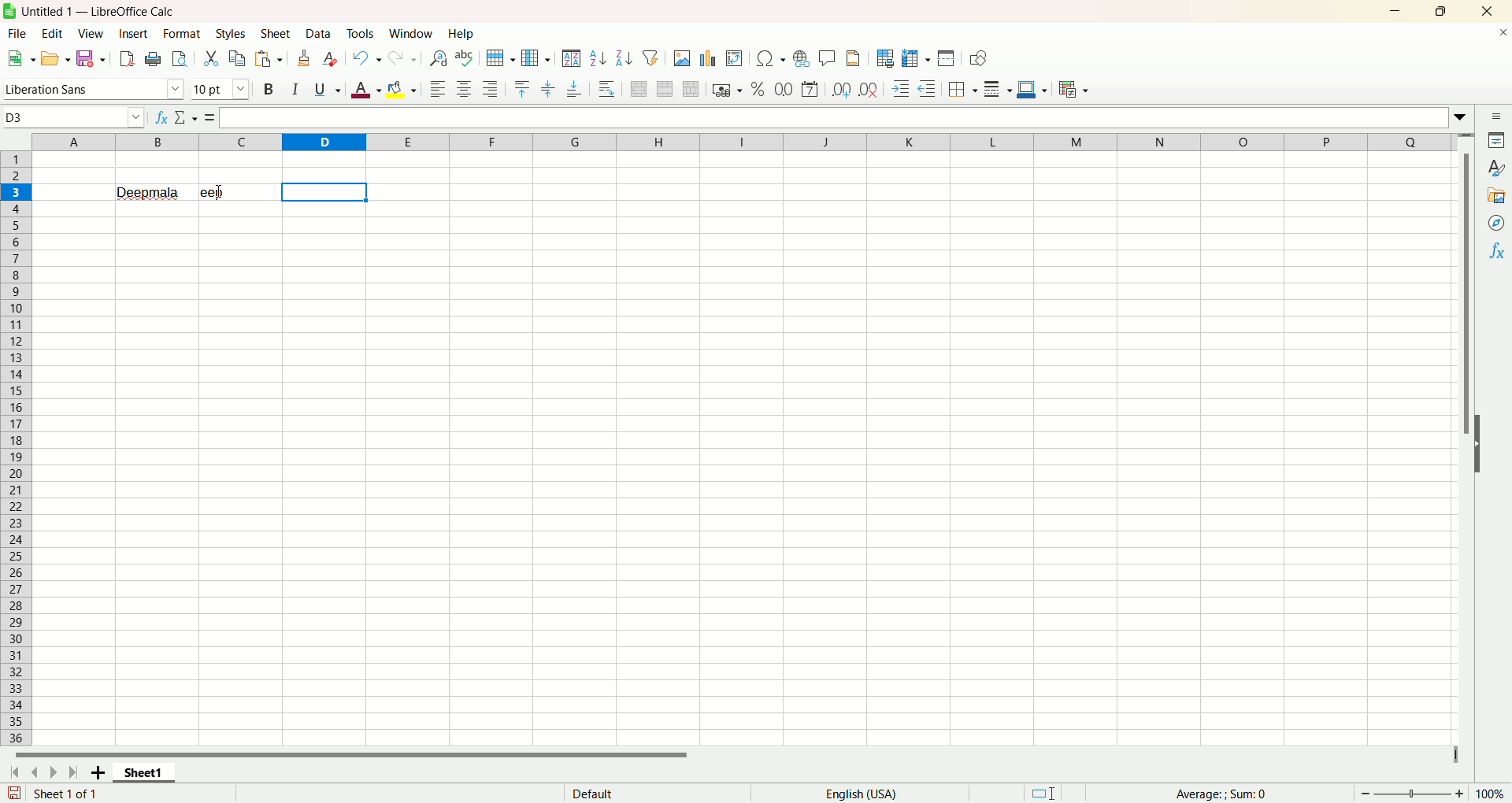 This screenshot has height=803, width=1512. I want to click on active cell D3, so click(74, 117).